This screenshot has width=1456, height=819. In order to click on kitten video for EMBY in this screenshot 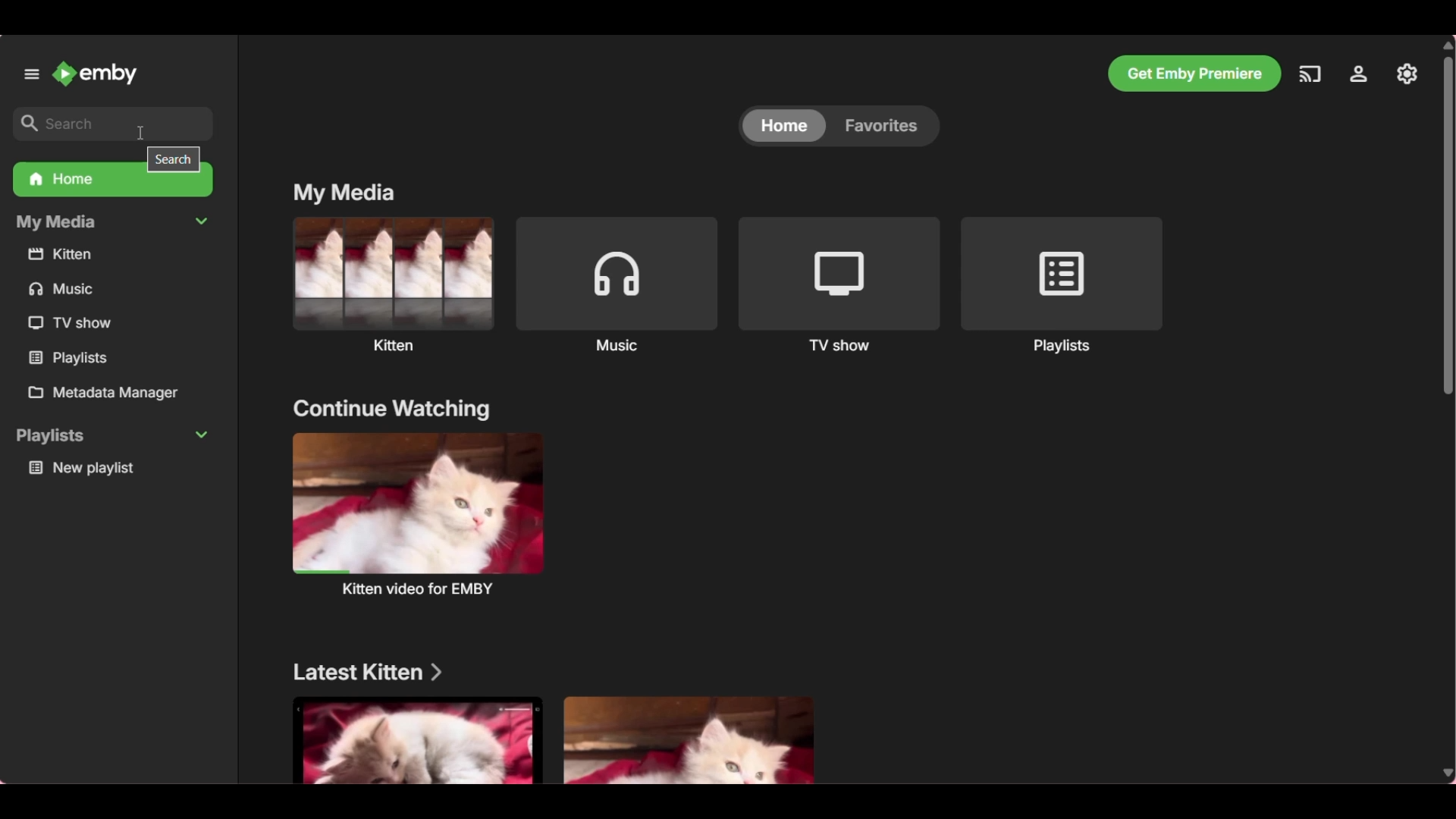, I will do `click(417, 513)`.